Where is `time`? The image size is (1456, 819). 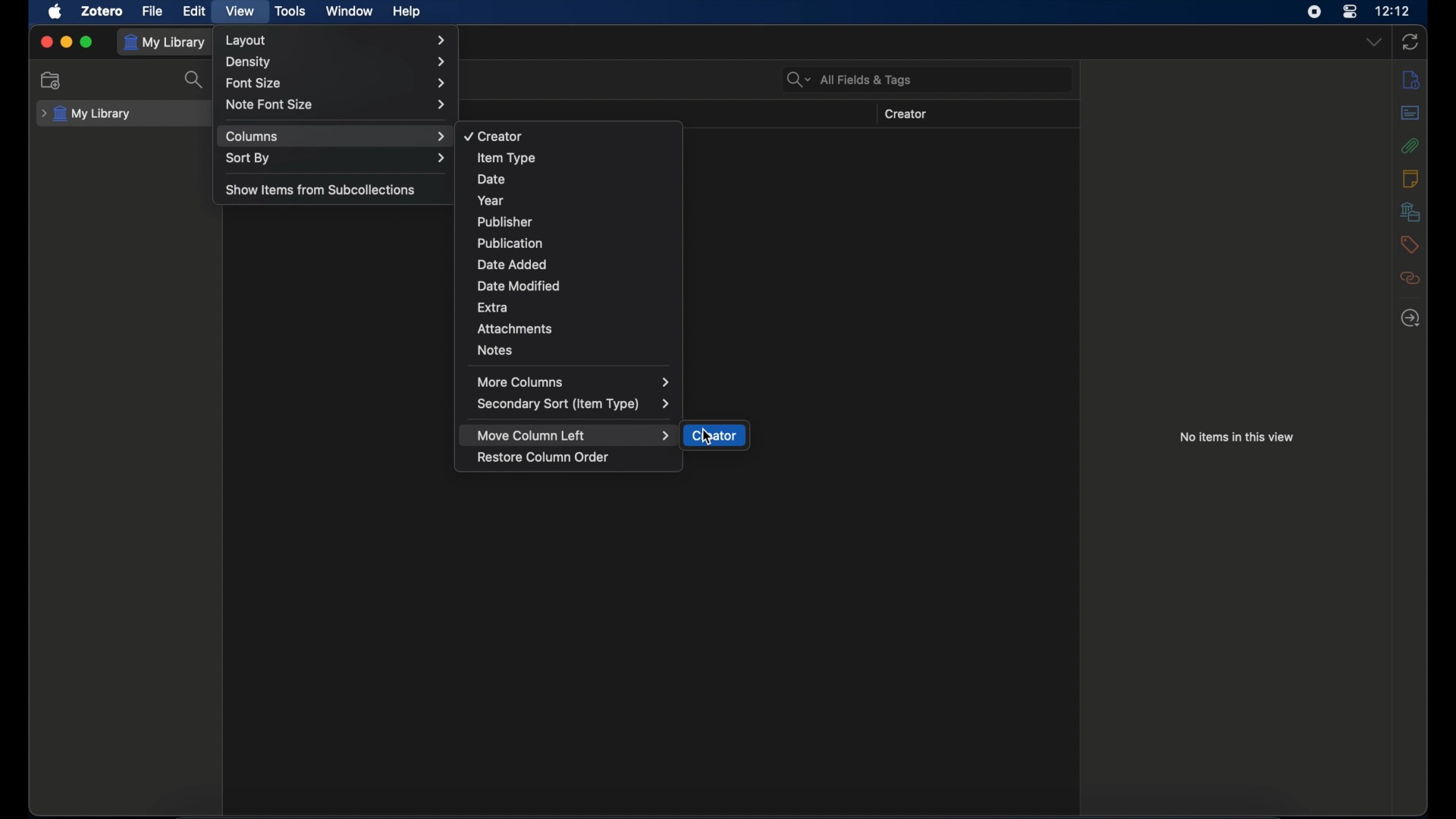
time is located at coordinates (1393, 10).